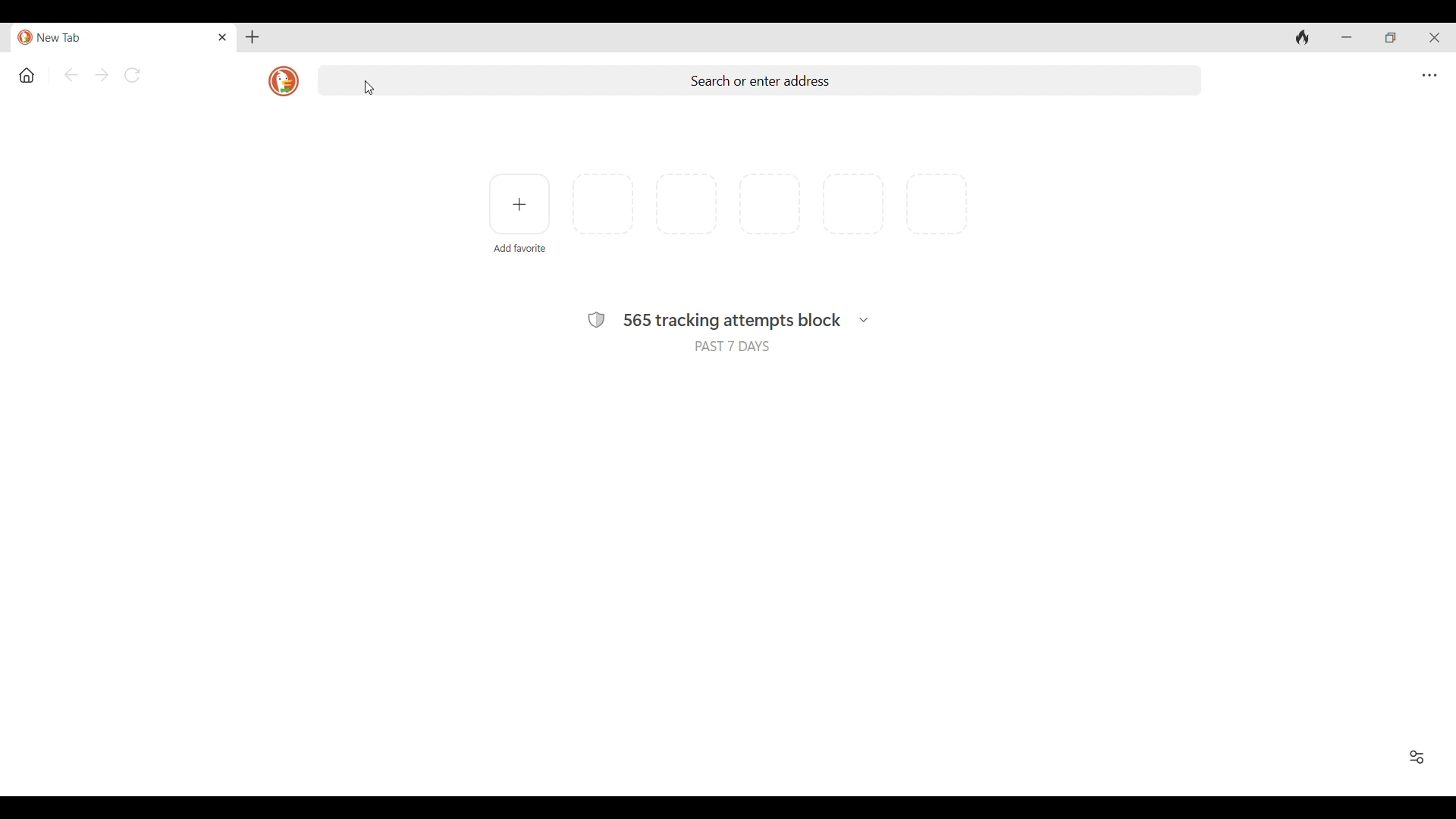 The height and width of the screenshot is (819, 1456). Describe the element at coordinates (519, 204) in the screenshot. I see `Add favorite` at that location.